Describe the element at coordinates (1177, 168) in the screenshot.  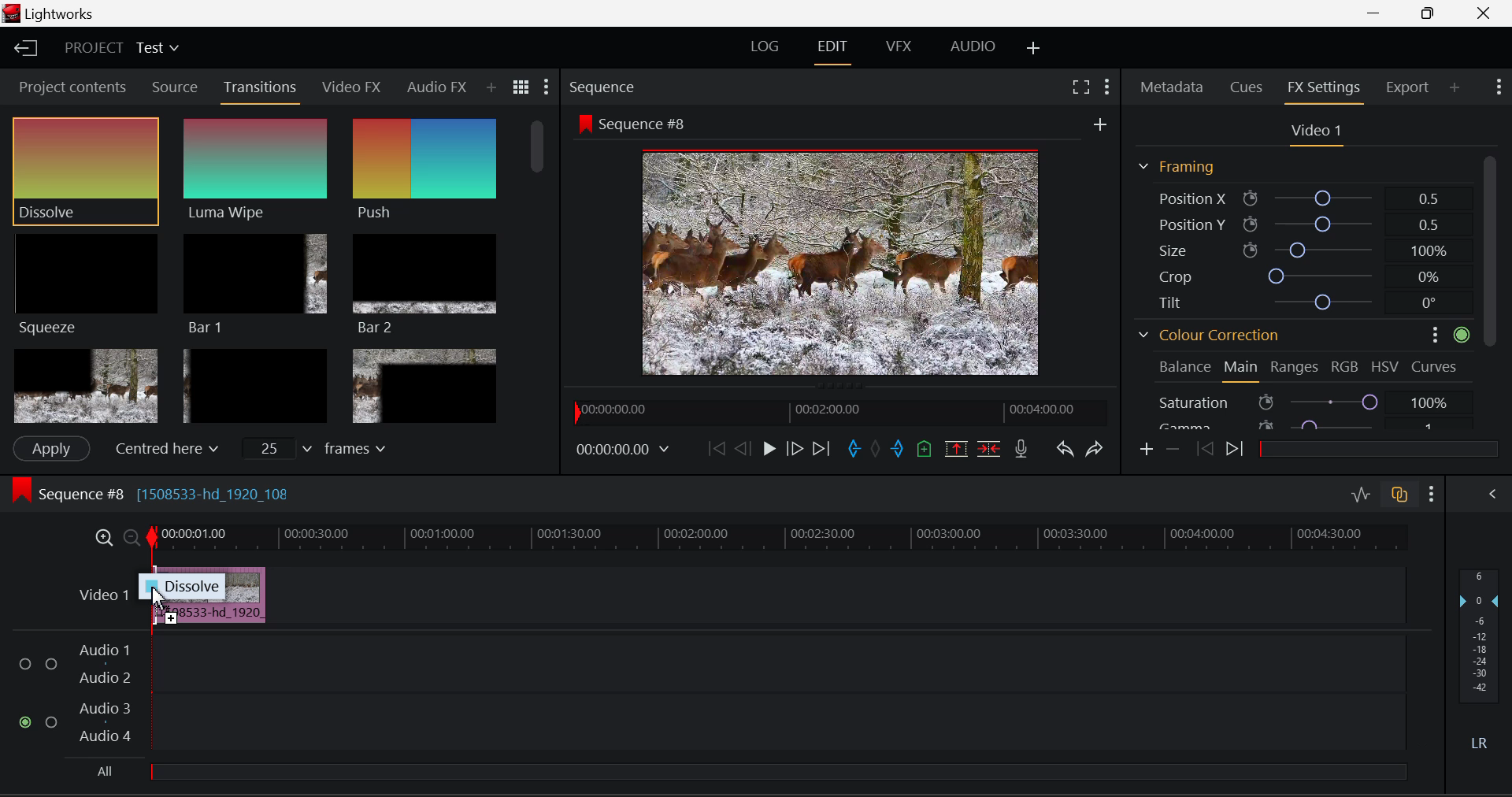
I see `Framing Section` at that location.